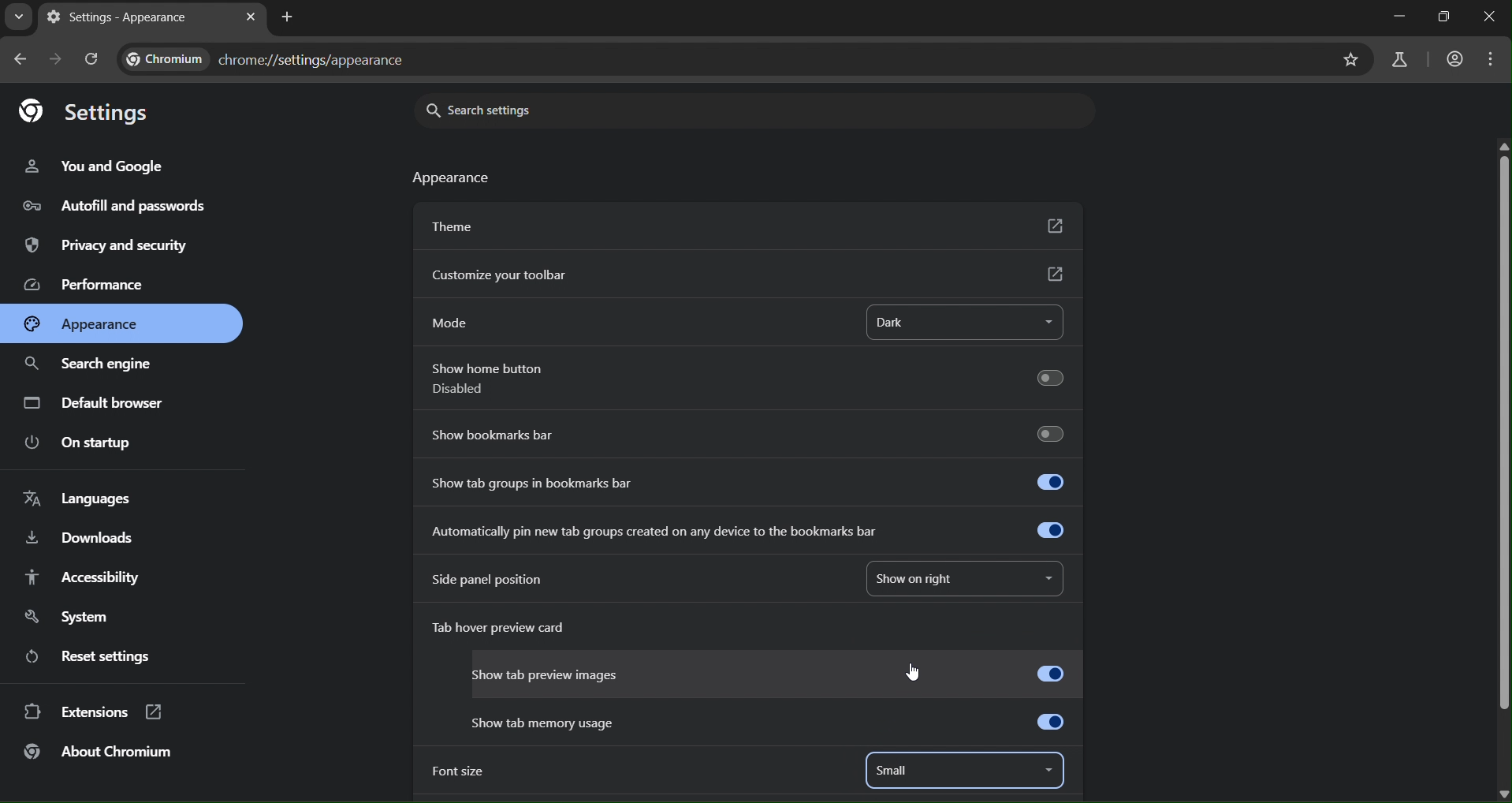  Describe the element at coordinates (938, 319) in the screenshot. I see `dark` at that location.